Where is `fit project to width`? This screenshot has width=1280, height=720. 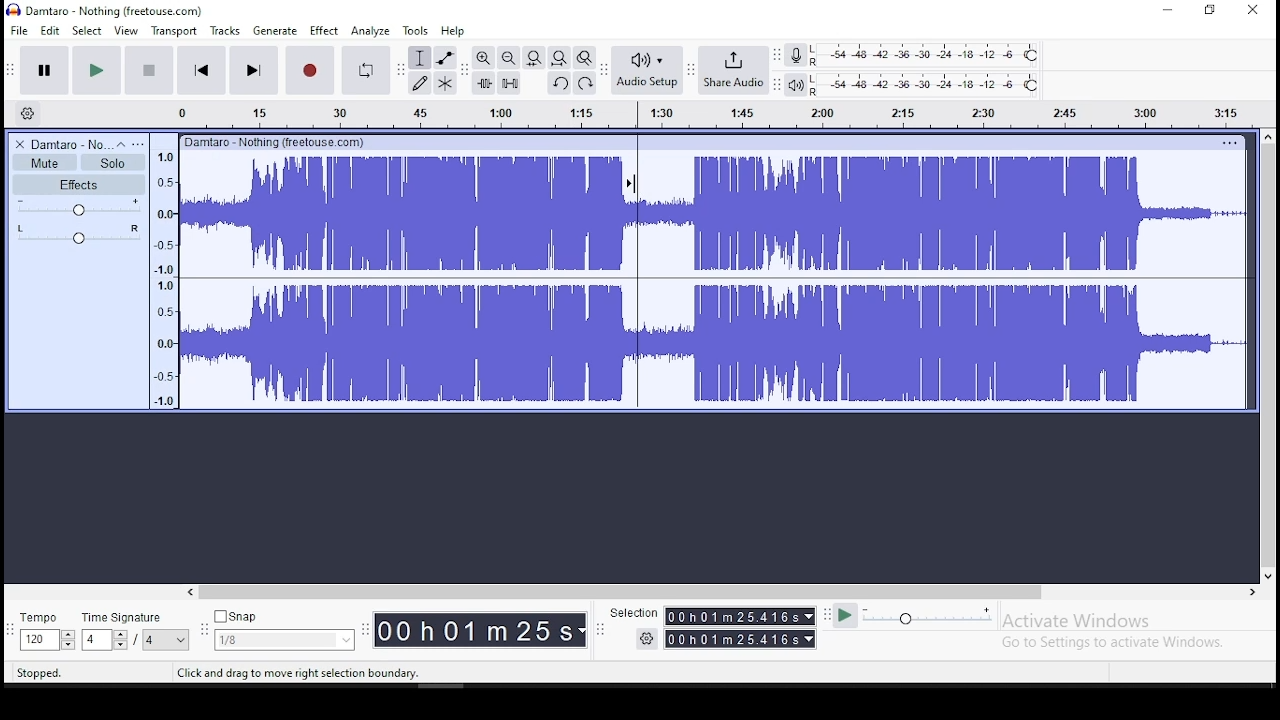 fit project to width is located at coordinates (535, 57).